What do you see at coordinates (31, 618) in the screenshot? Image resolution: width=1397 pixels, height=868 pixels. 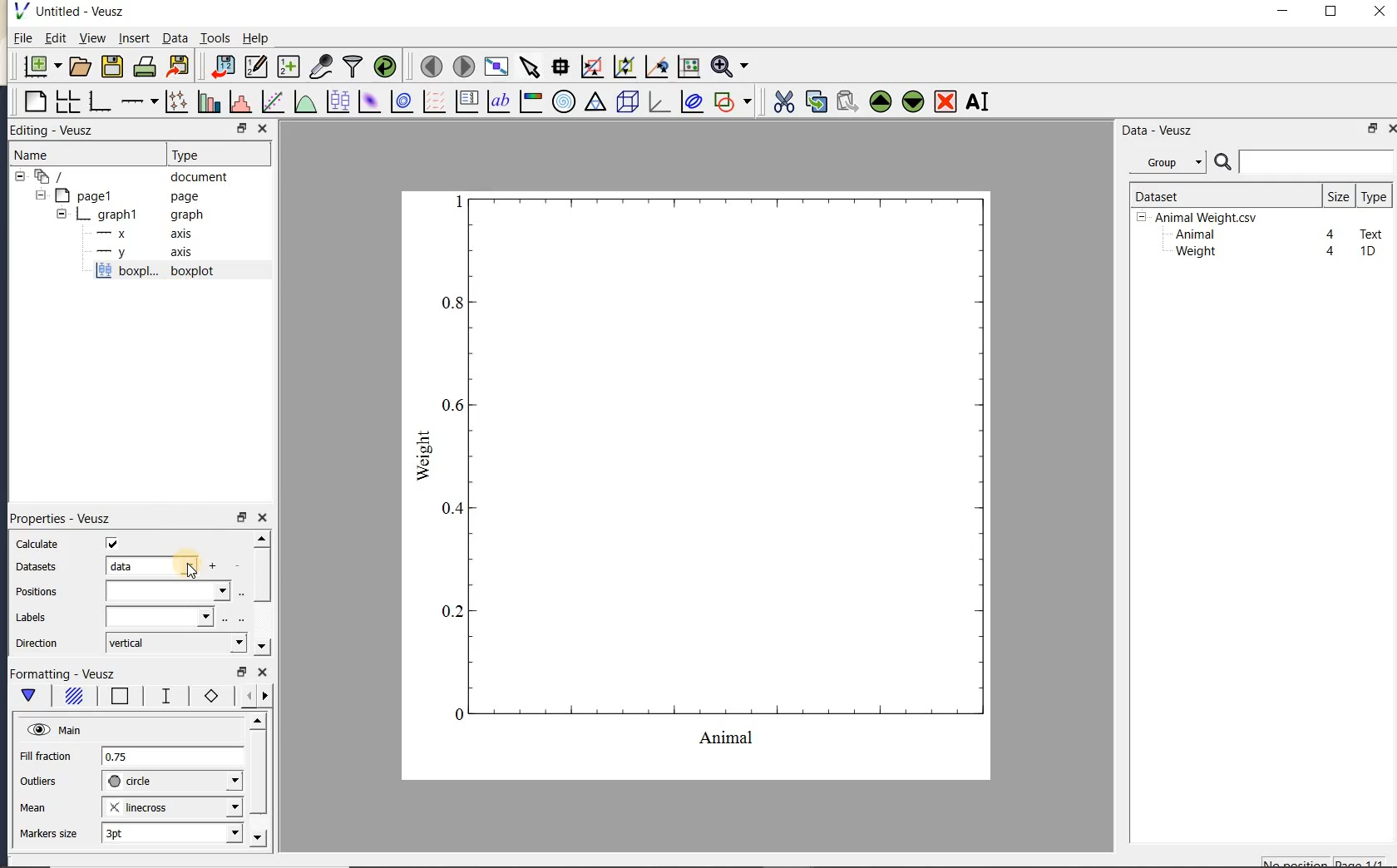 I see `Labels` at bounding box center [31, 618].